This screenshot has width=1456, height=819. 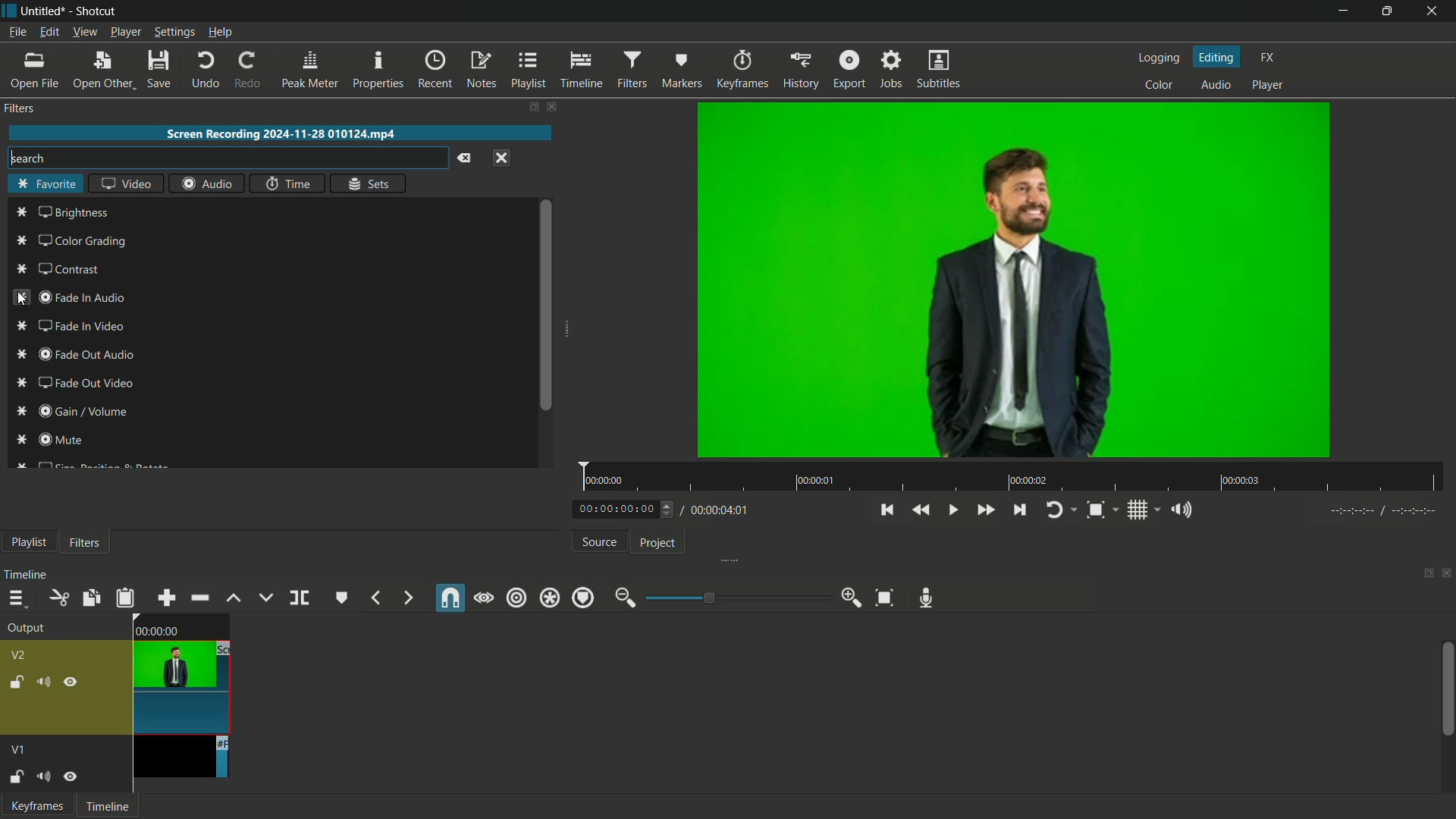 What do you see at coordinates (377, 70) in the screenshot?
I see `properties` at bounding box center [377, 70].